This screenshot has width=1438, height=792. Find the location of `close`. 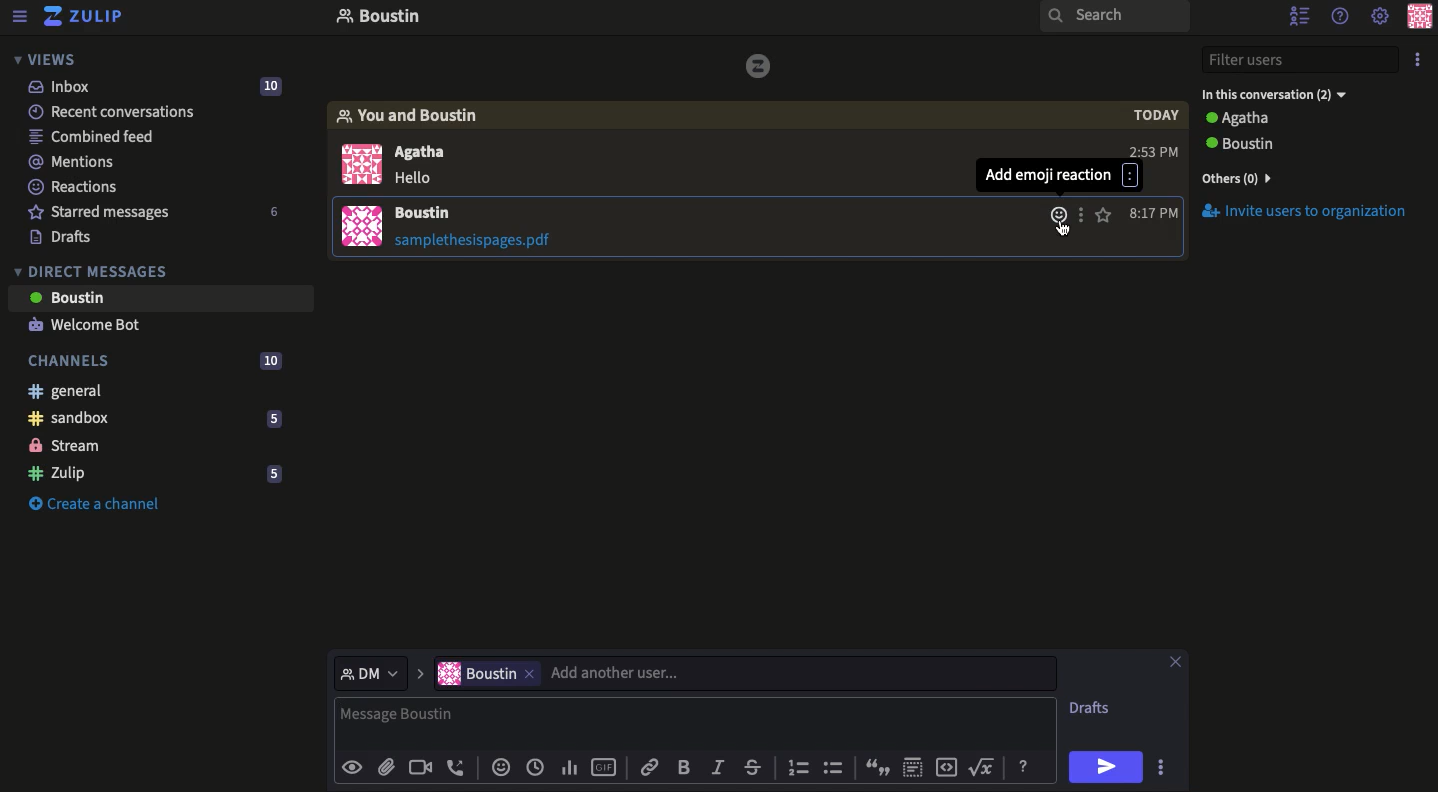

close is located at coordinates (530, 674).